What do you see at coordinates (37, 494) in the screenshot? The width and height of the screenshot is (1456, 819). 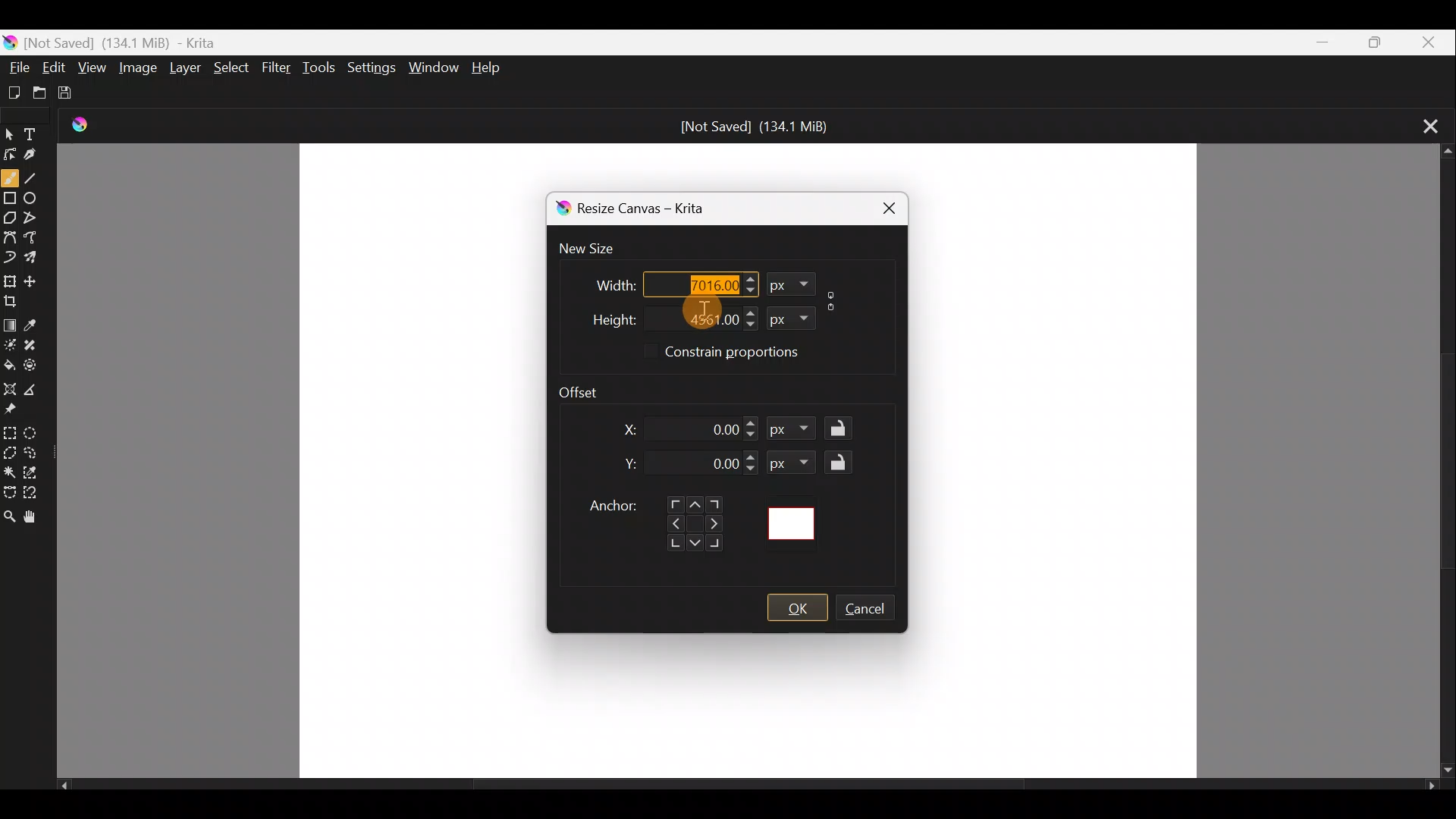 I see `Magnetic curve selection tool` at bounding box center [37, 494].